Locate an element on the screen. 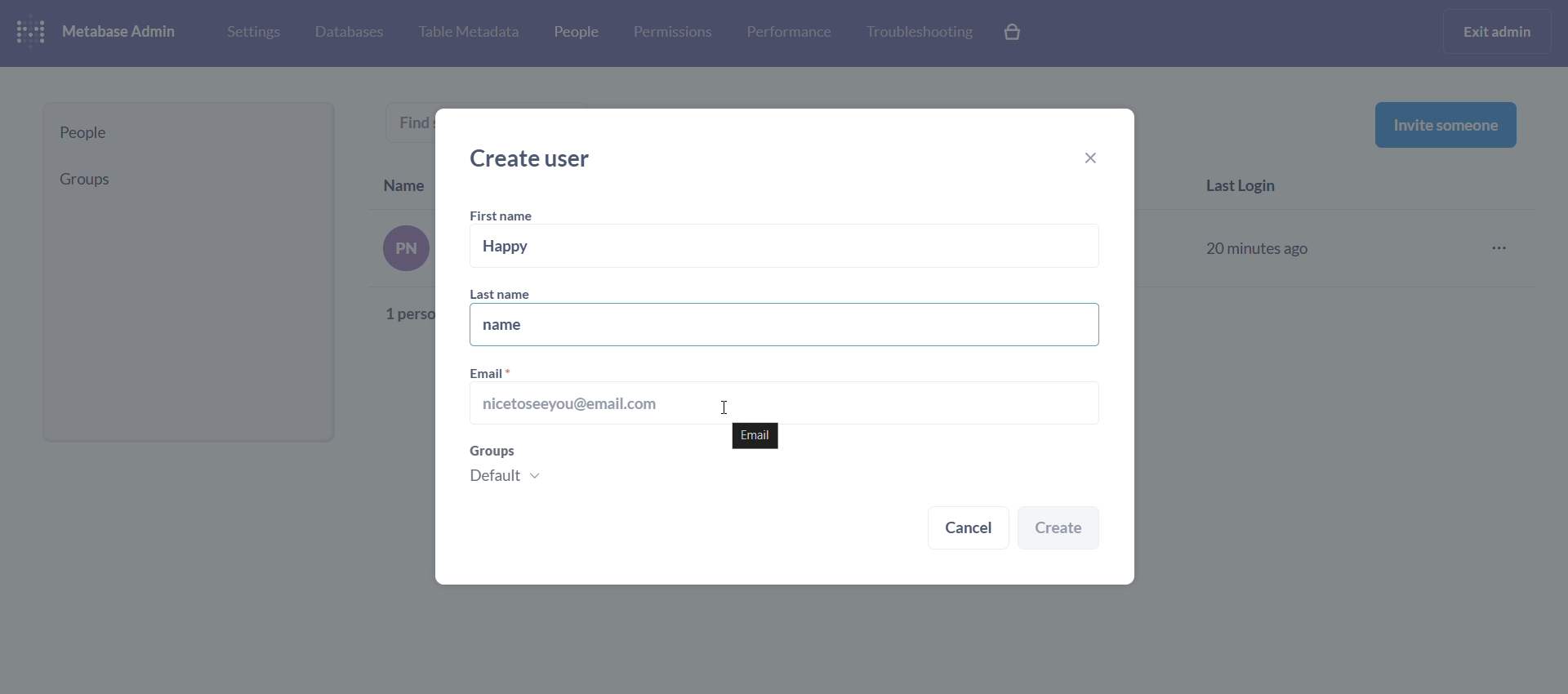 The width and height of the screenshot is (1568, 694). people is located at coordinates (574, 35).